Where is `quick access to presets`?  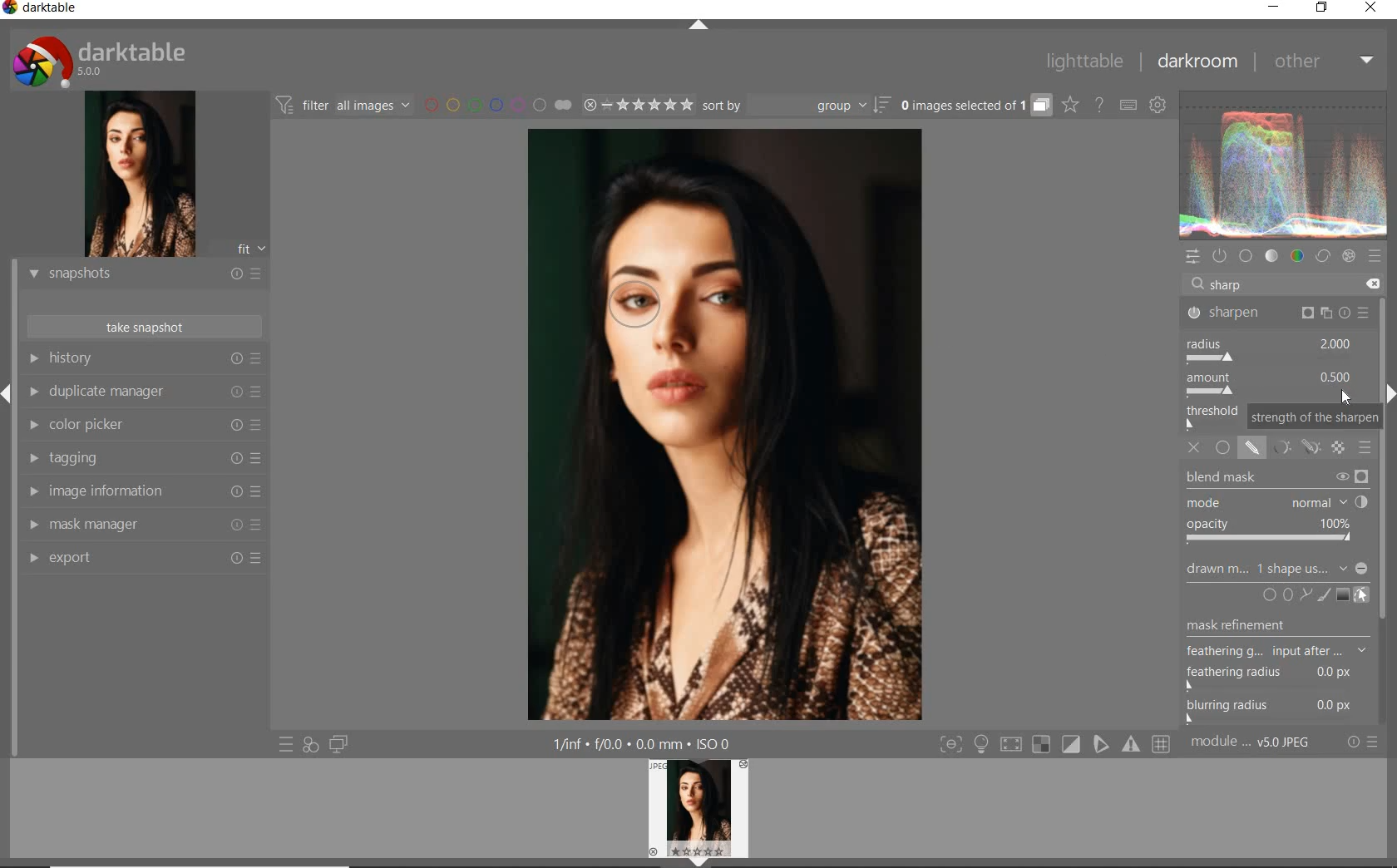
quick access to presets is located at coordinates (287, 744).